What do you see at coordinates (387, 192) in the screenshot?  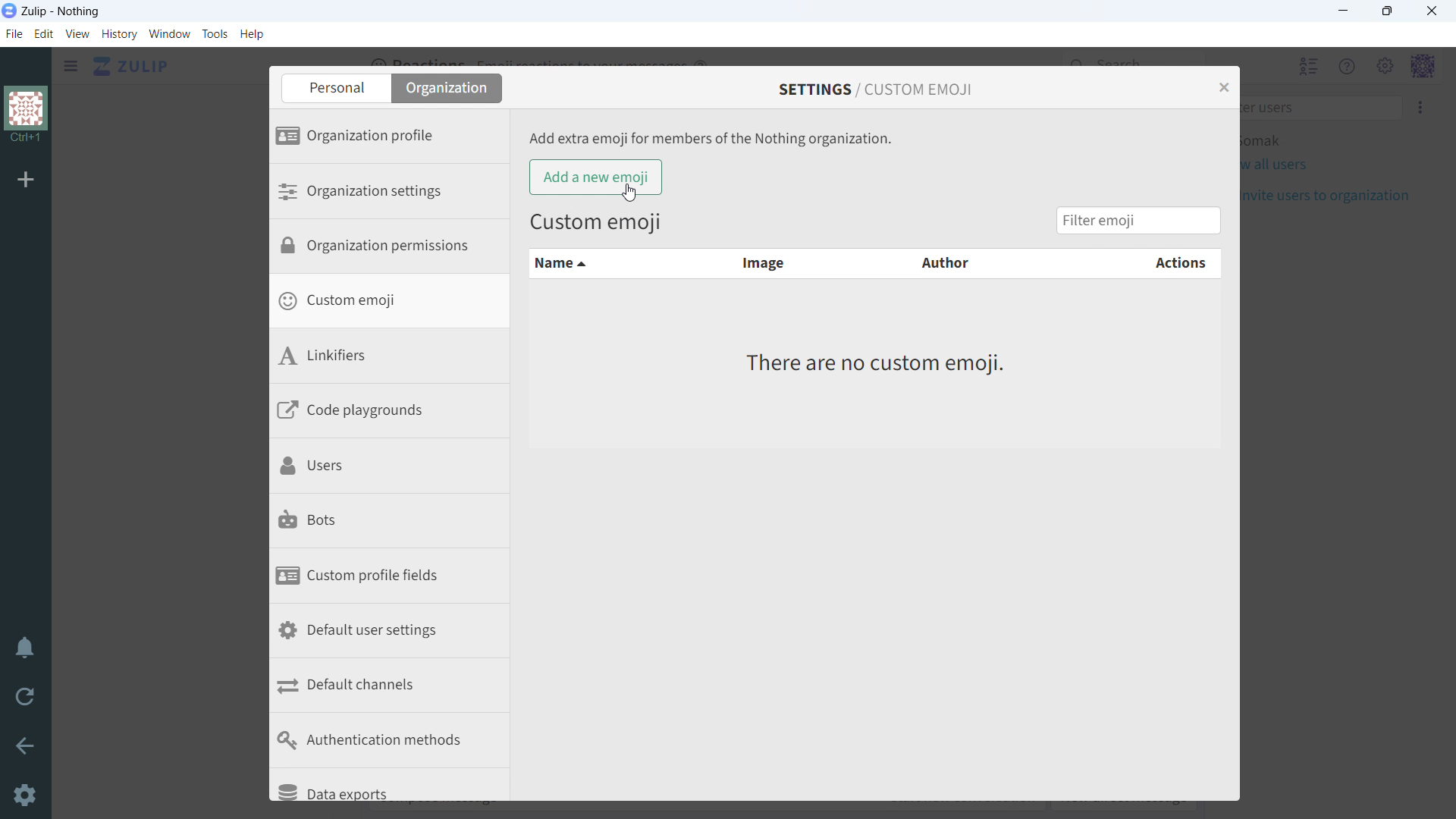 I see `organization settings` at bounding box center [387, 192].